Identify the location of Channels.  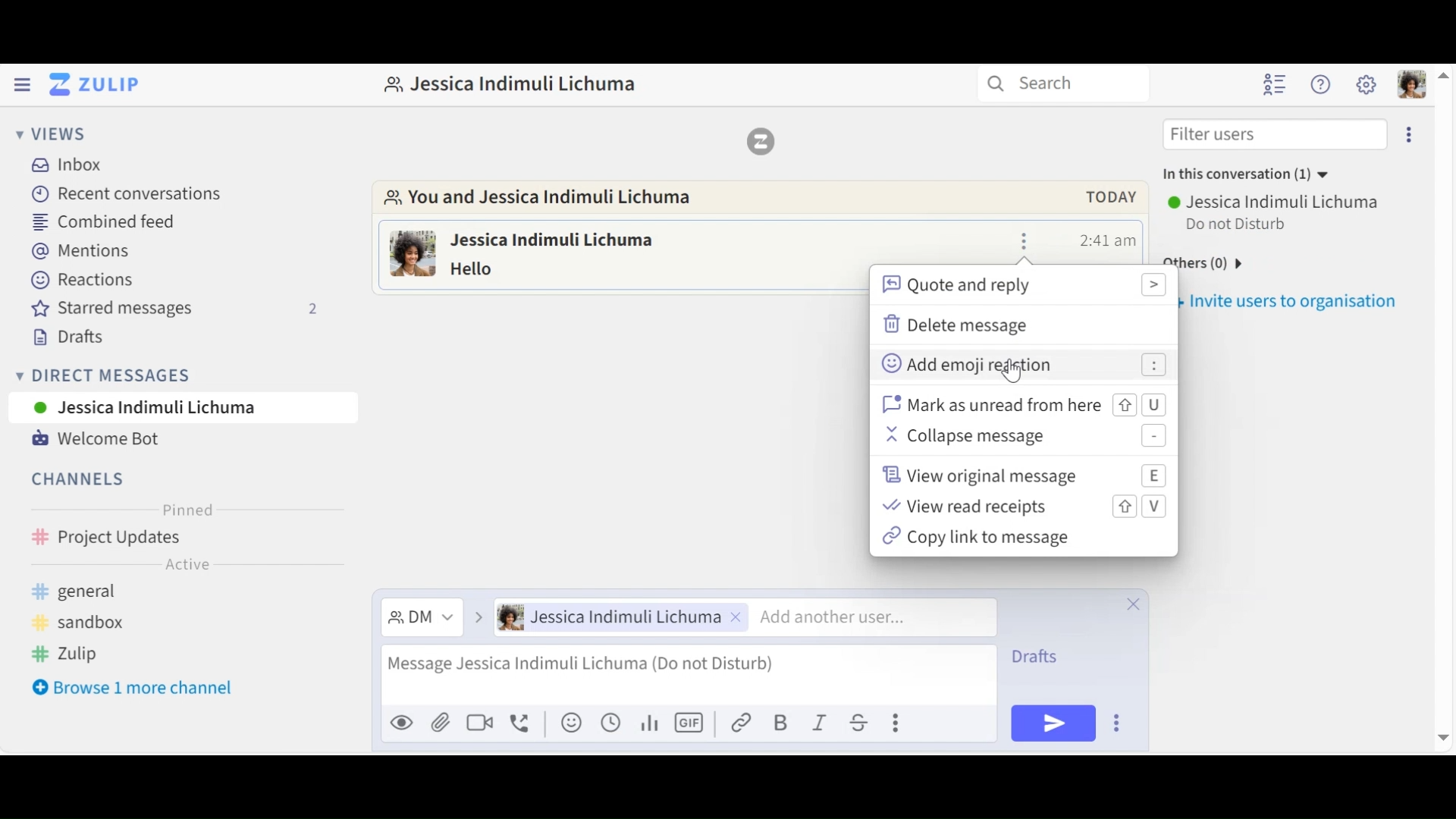
(80, 481).